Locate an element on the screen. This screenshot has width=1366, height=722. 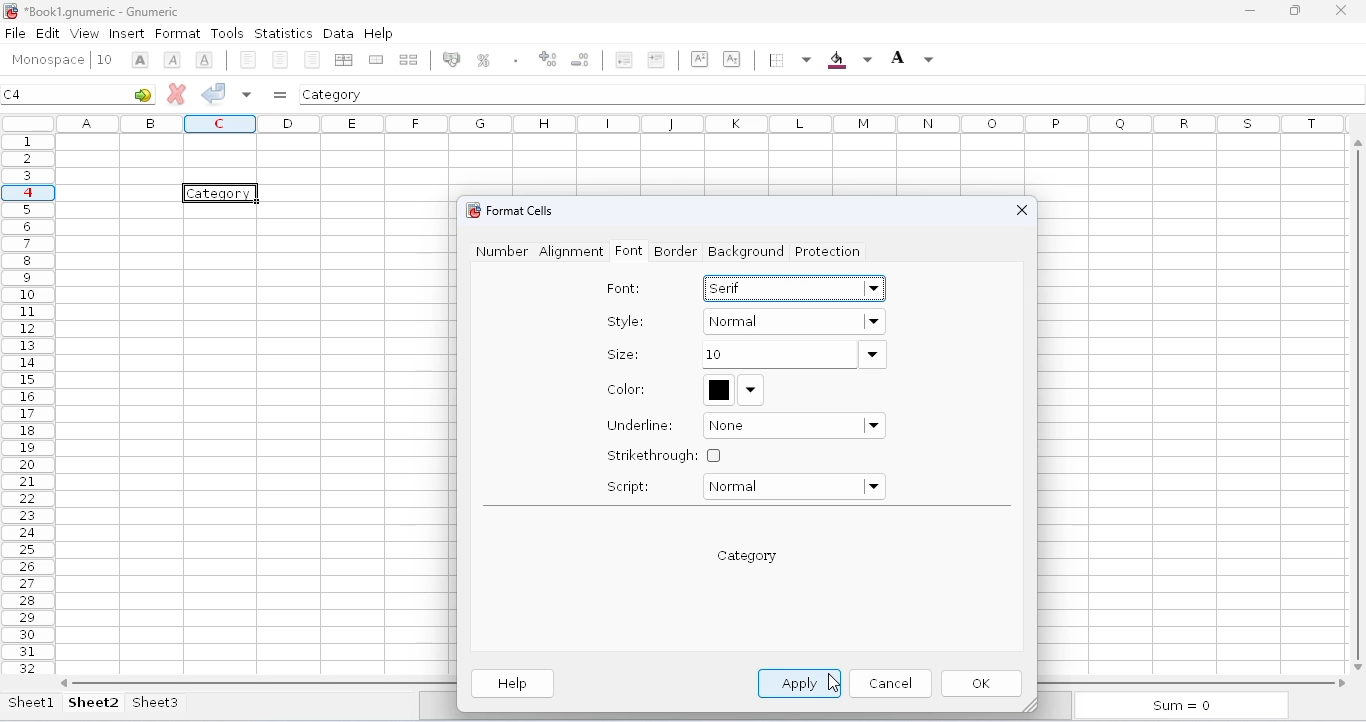
center horizontally across the selection is located at coordinates (347, 60).